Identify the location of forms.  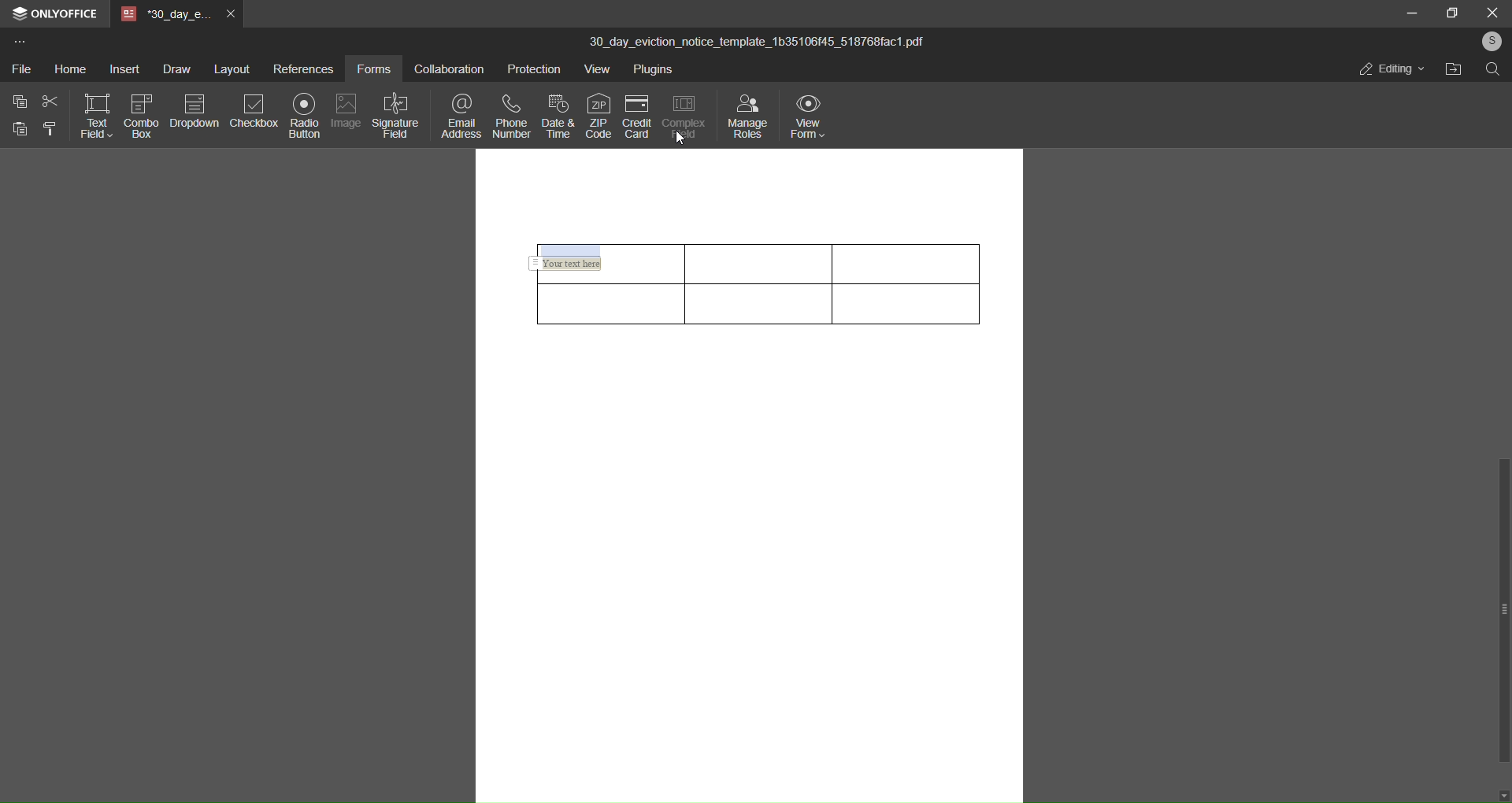
(374, 68).